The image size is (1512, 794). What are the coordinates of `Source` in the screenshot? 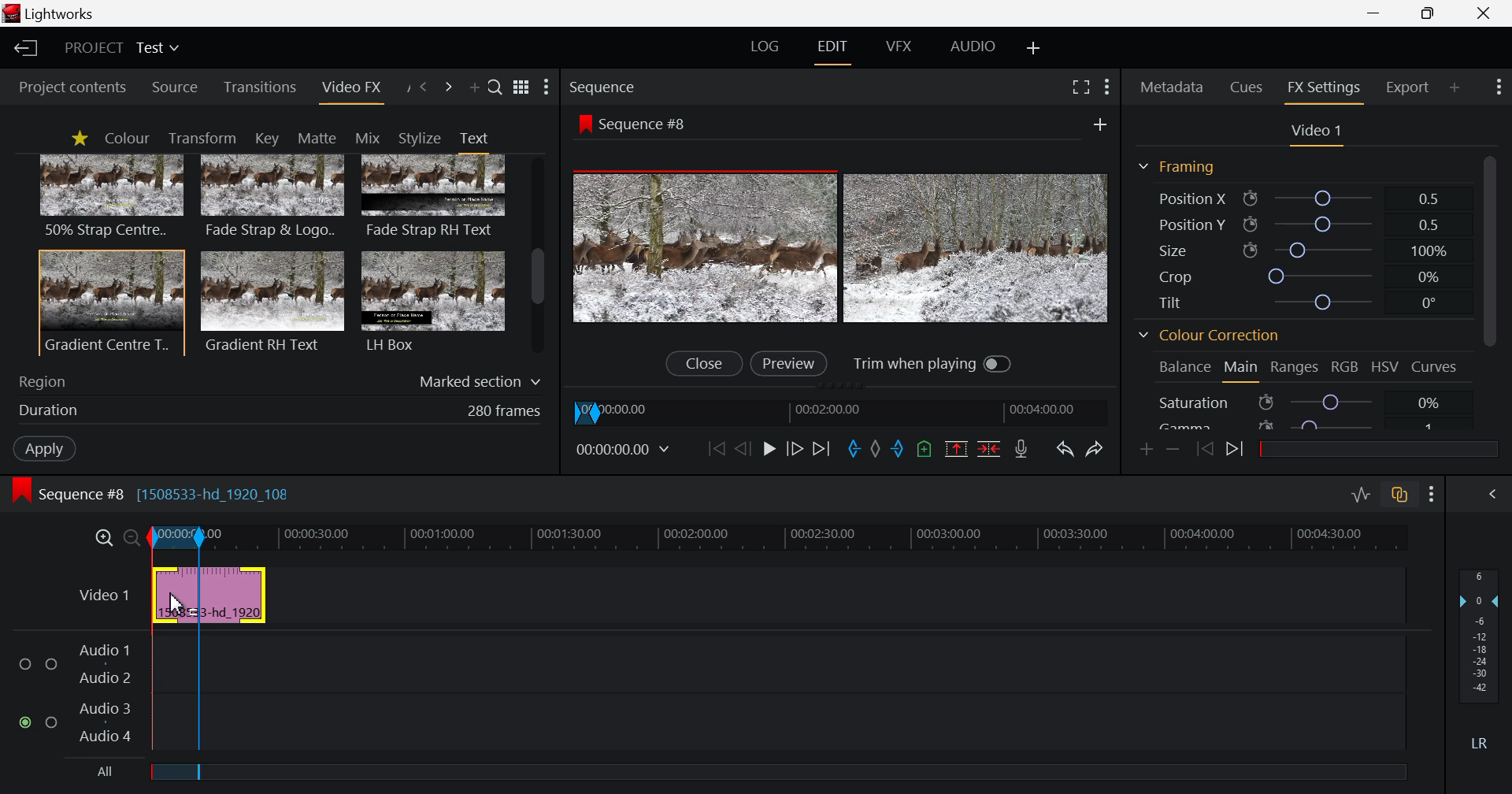 It's located at (175, 88).